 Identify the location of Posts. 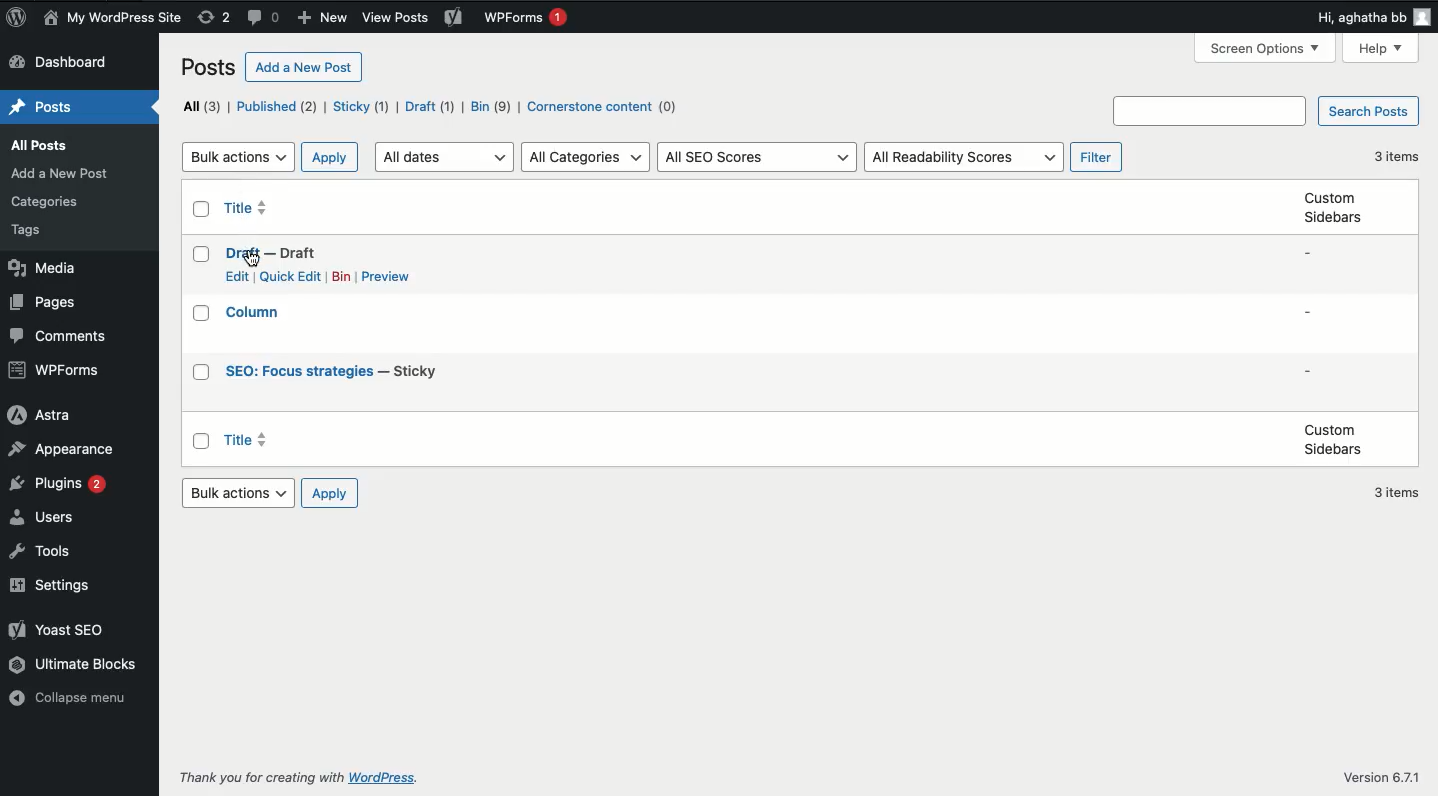
(40, 107).